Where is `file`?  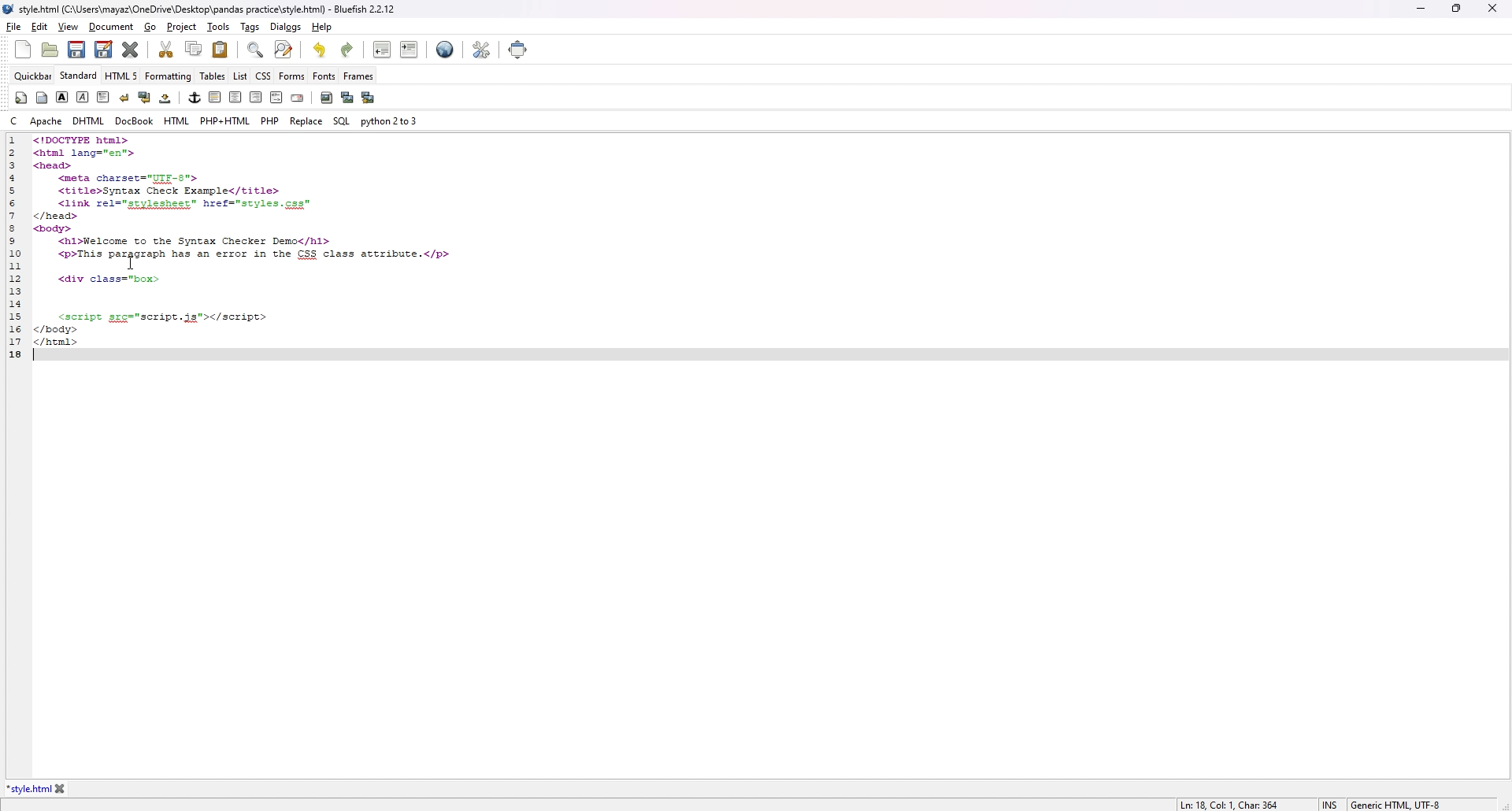 file is located at coordinates (13, 27).